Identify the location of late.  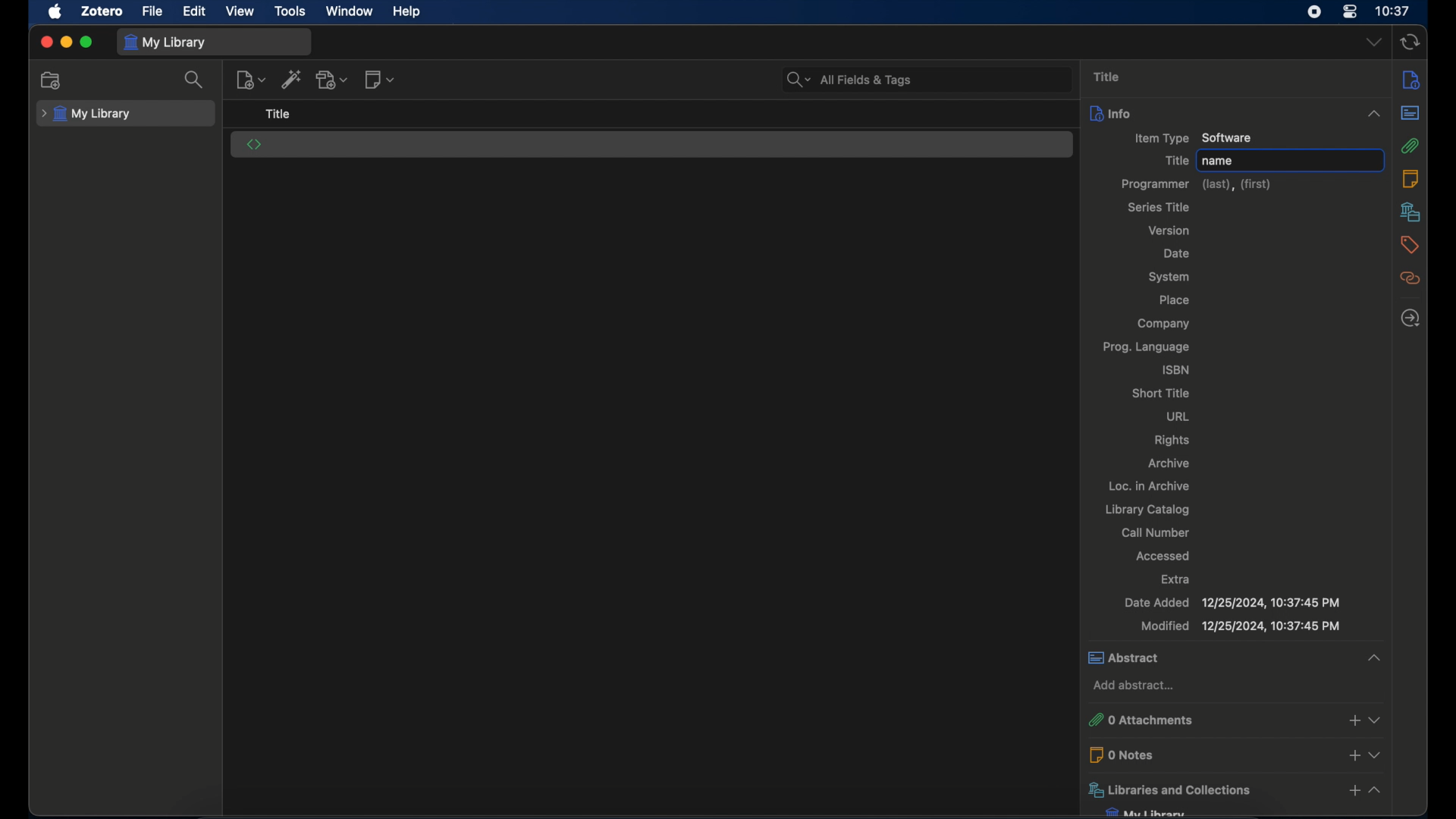
(1410, 318).